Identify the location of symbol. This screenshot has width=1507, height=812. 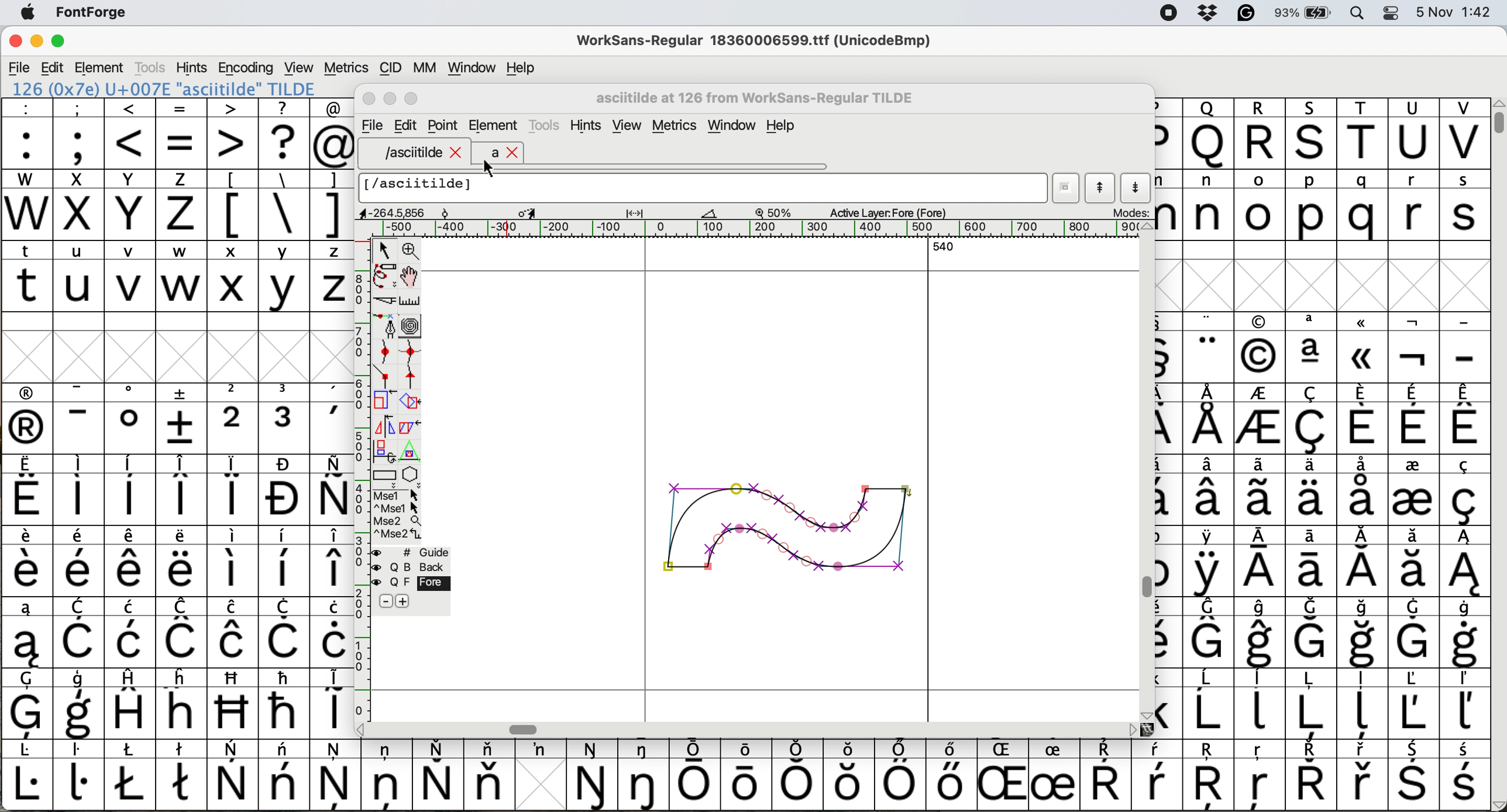
(80, 562).